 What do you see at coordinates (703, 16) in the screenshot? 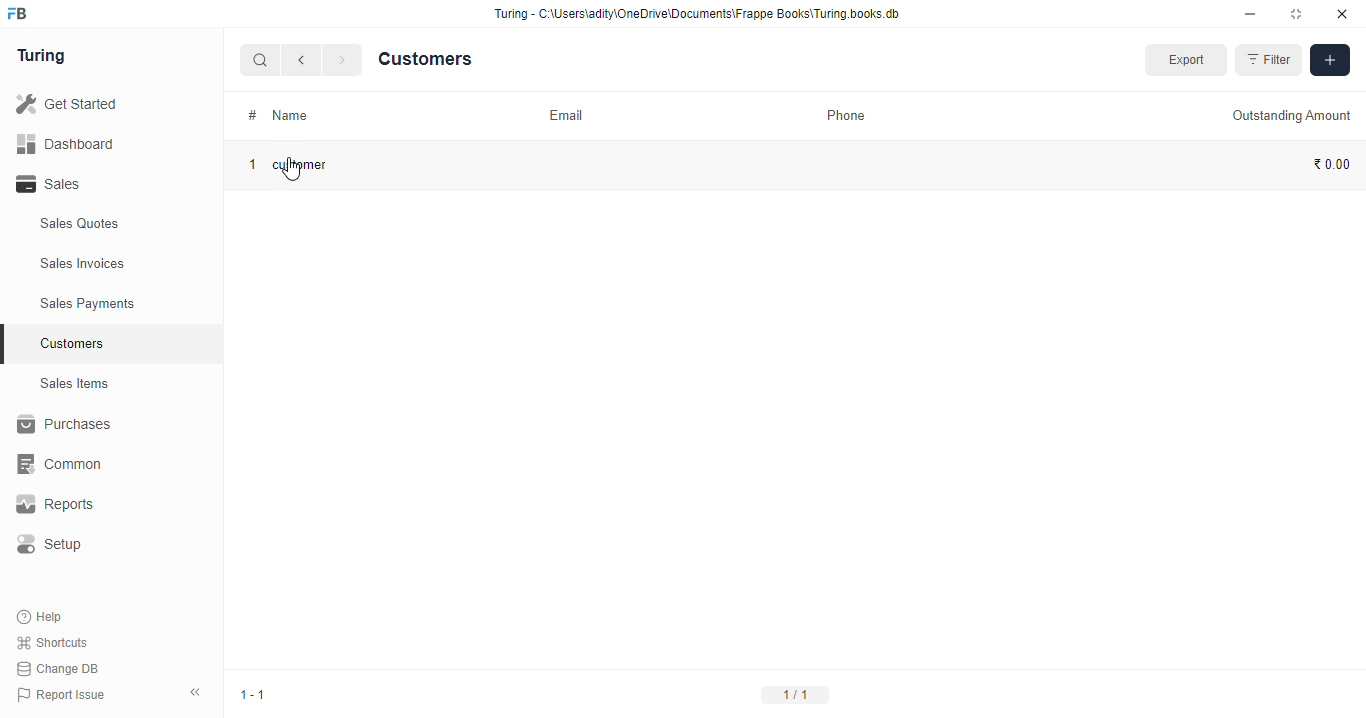
I see `Turing - C:\Users\adity\OneDrive\Documents\Frappe Books\Turing books. db` at bounding box center [703, 16].